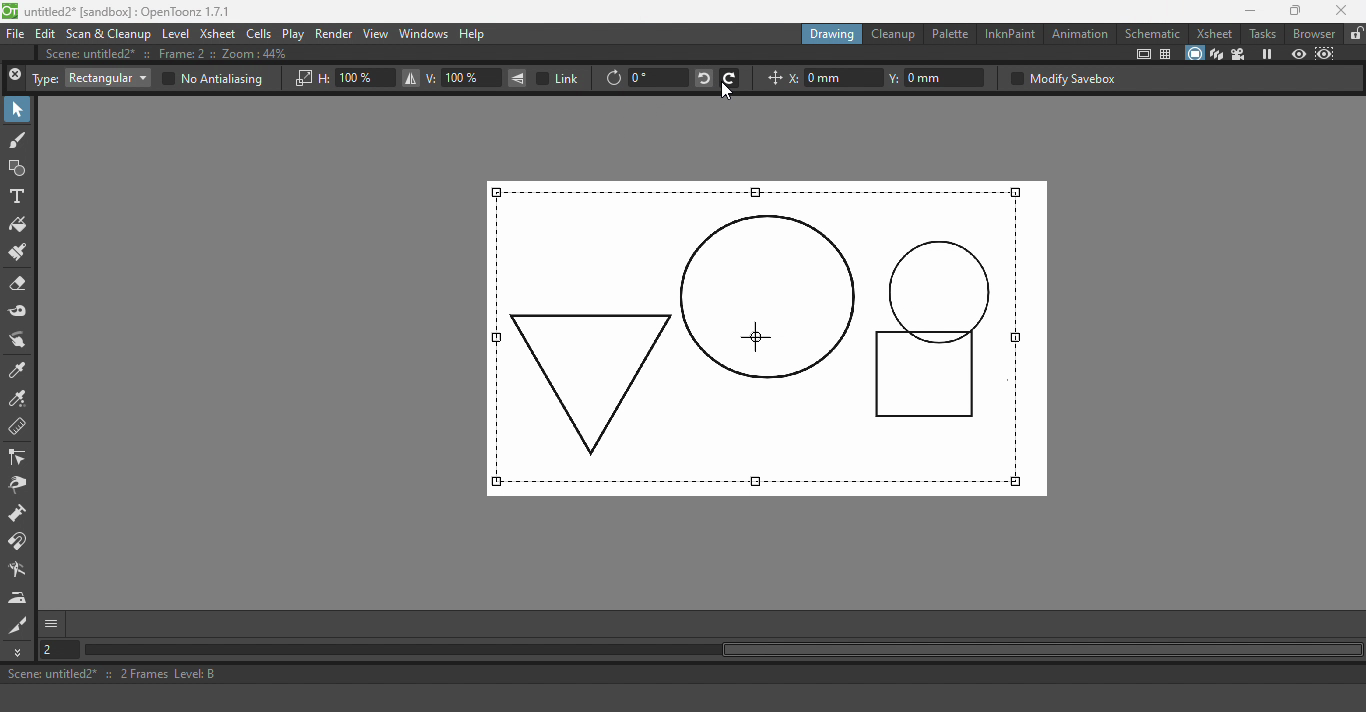 Image resolution: width=1366 pixels, height=712 pixels. What do you see at coordinates (1262, 33) in the screenshot?
I see `Tasks` at bounding box center [1262, 33].